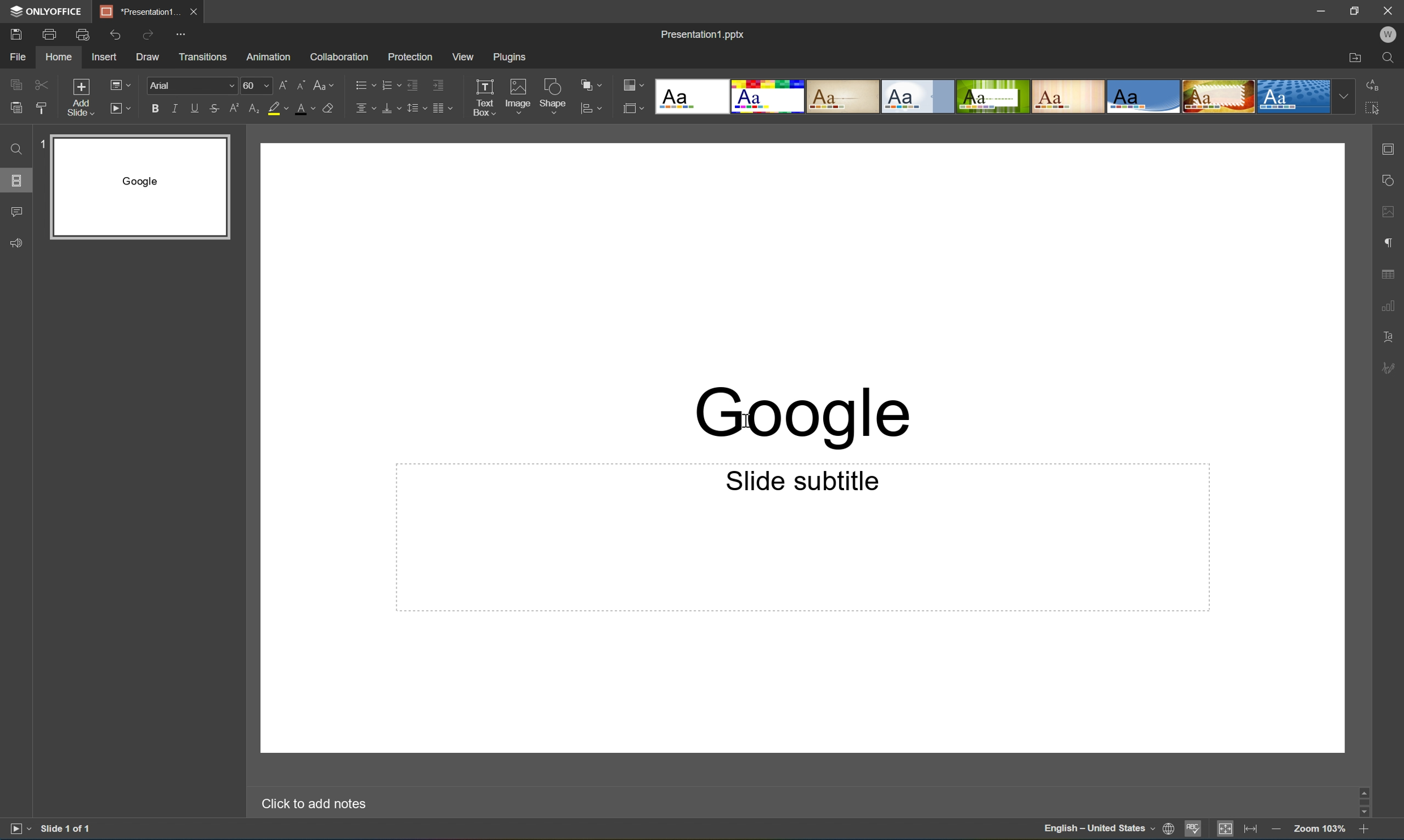  Describe the element at coordinates (1322, 8) in the screenshot. I see `Minimize` at that location.